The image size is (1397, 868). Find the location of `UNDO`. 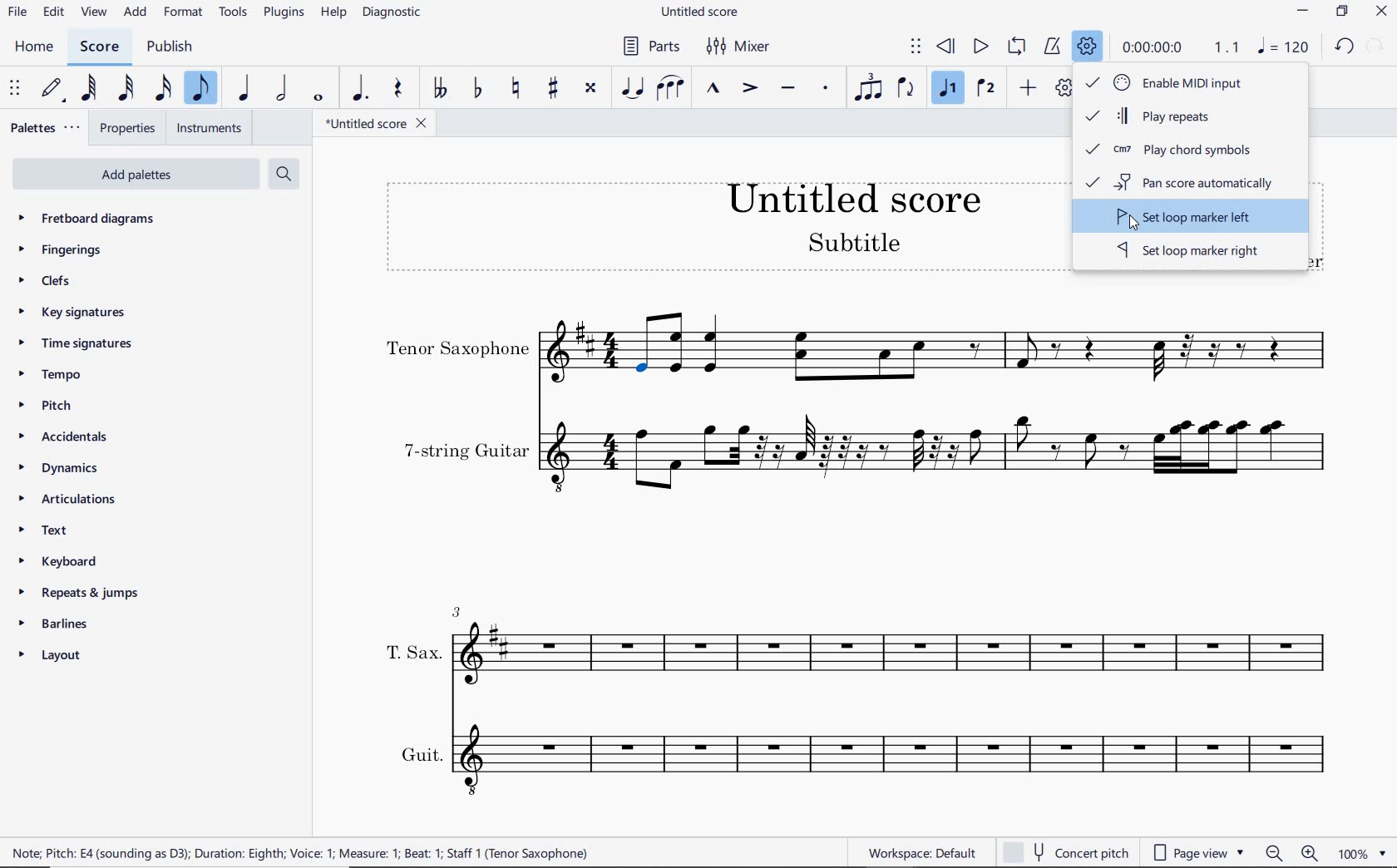

UNDO is located at coordinates (1345, 48).